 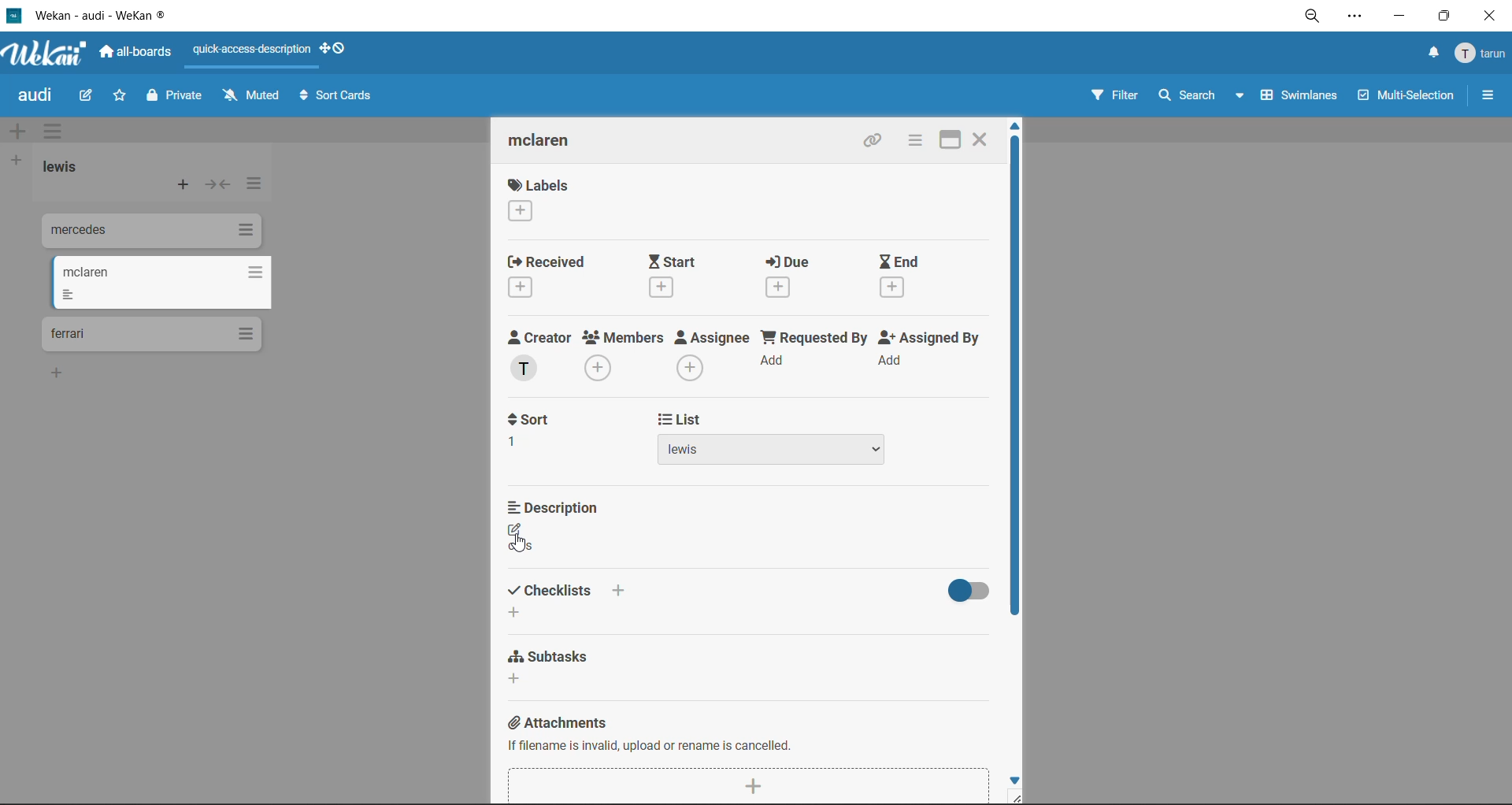 What do you see at coordinates (876, 142) in the screenshot?
I see `copy link` at bounding box center [876, 142].